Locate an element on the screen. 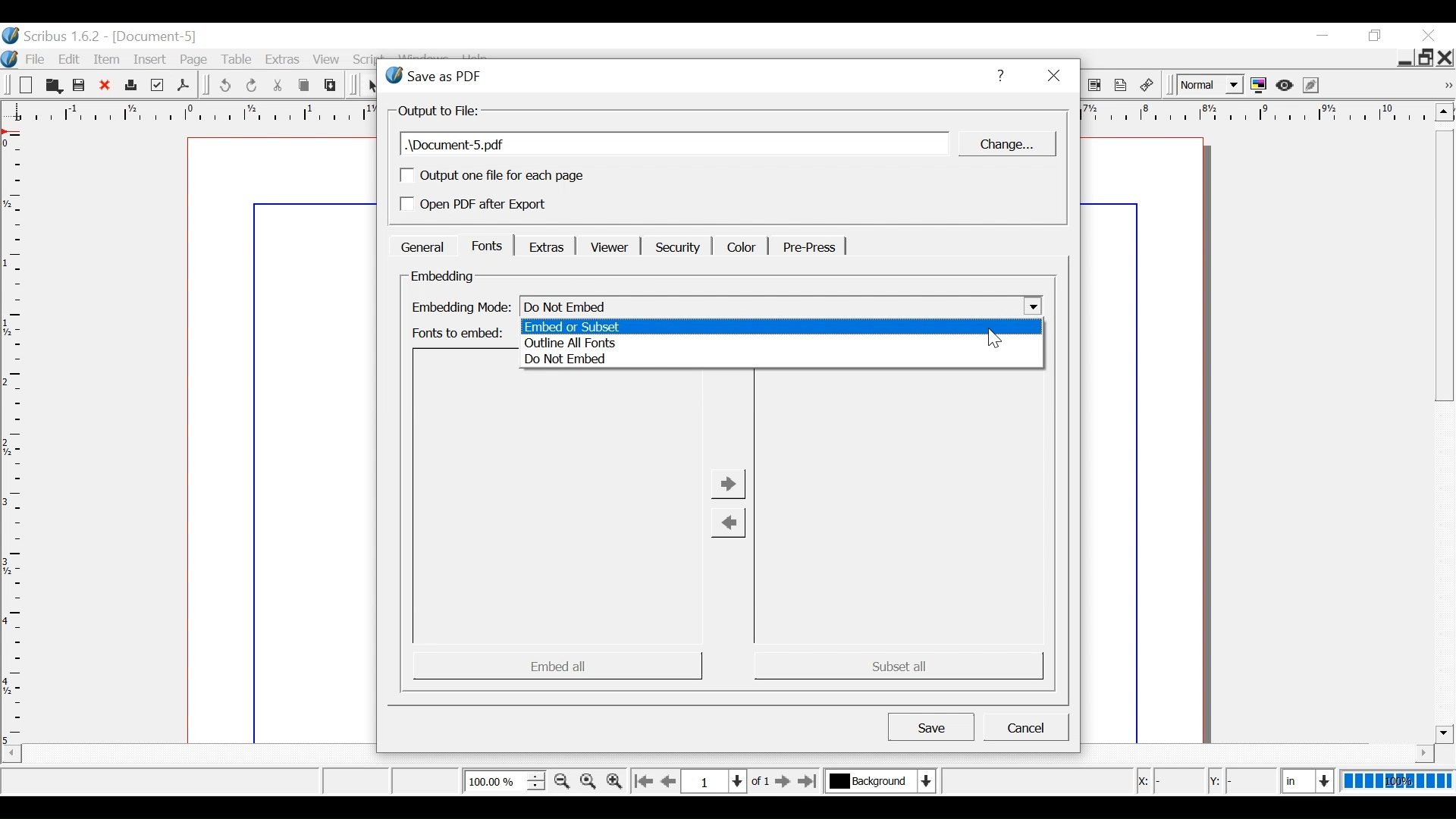 This screenshot has height=819, width=1456. Edit in Preview mode is located at coordinates (1313, 85).